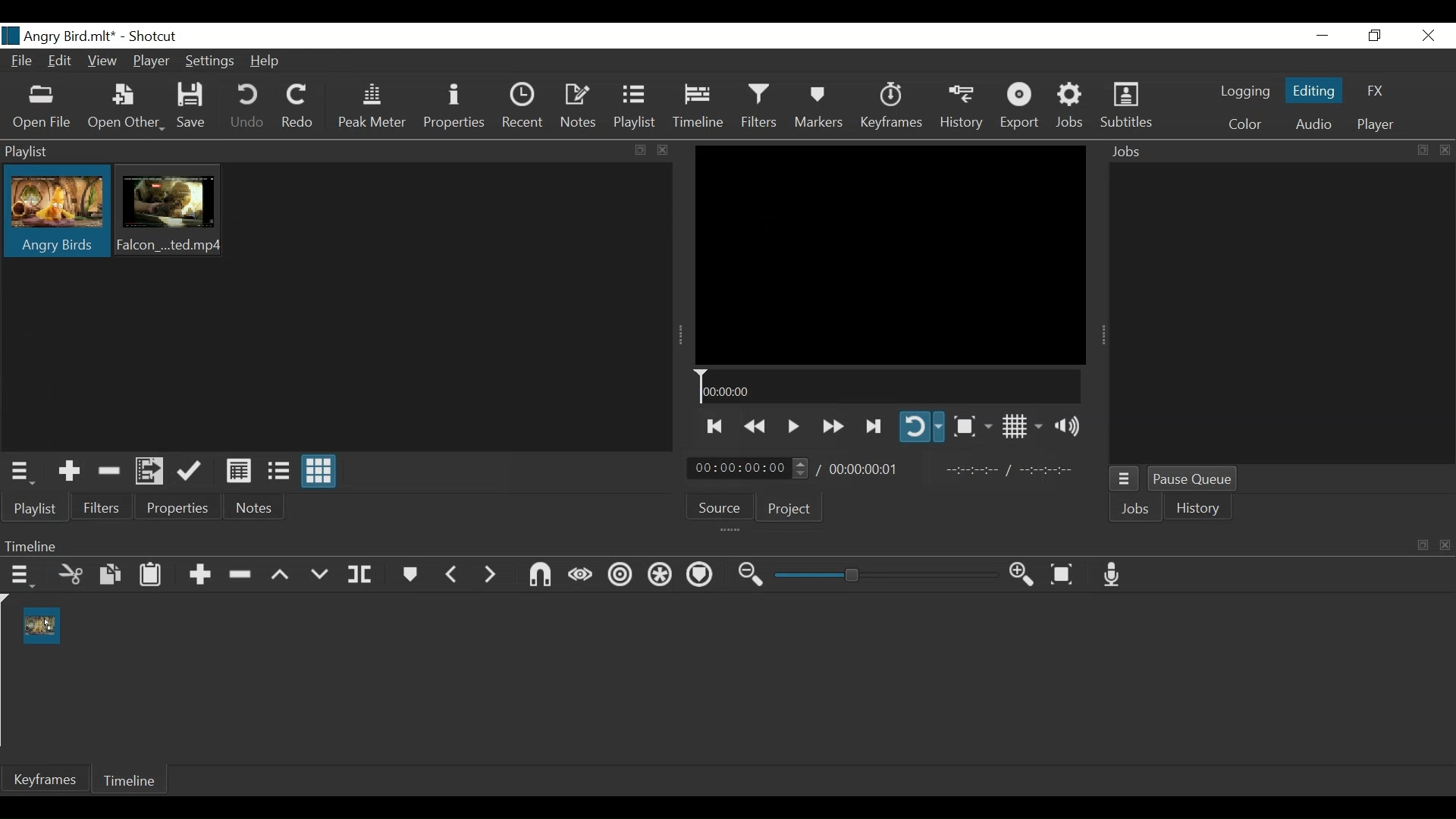 The width and height of the screenshot is (1456, 819). What do you see at coordinates (411, 573) in the screenshot?
I see `Markers` at bounding box center [411, 573].